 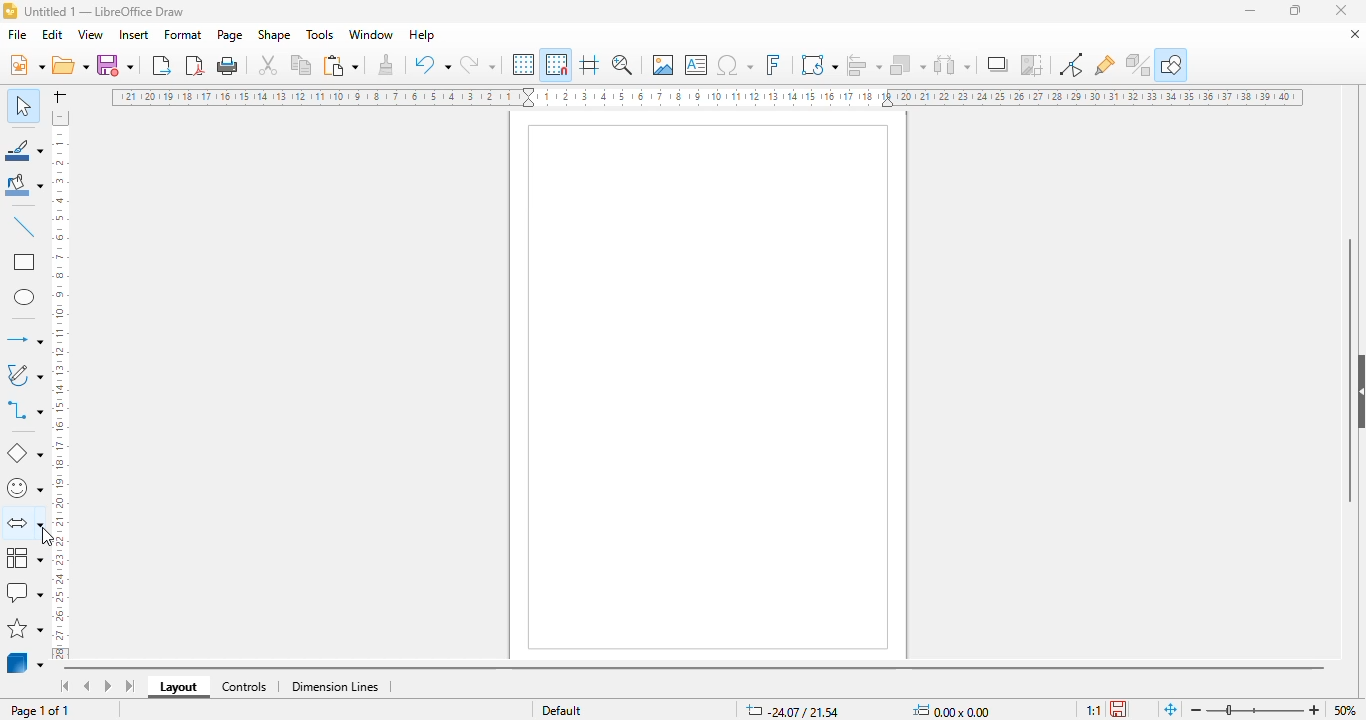 What do you see at coordinates (1031, 64) in the screenshot?
I see `crop image` at bounding box center [1031, 64].